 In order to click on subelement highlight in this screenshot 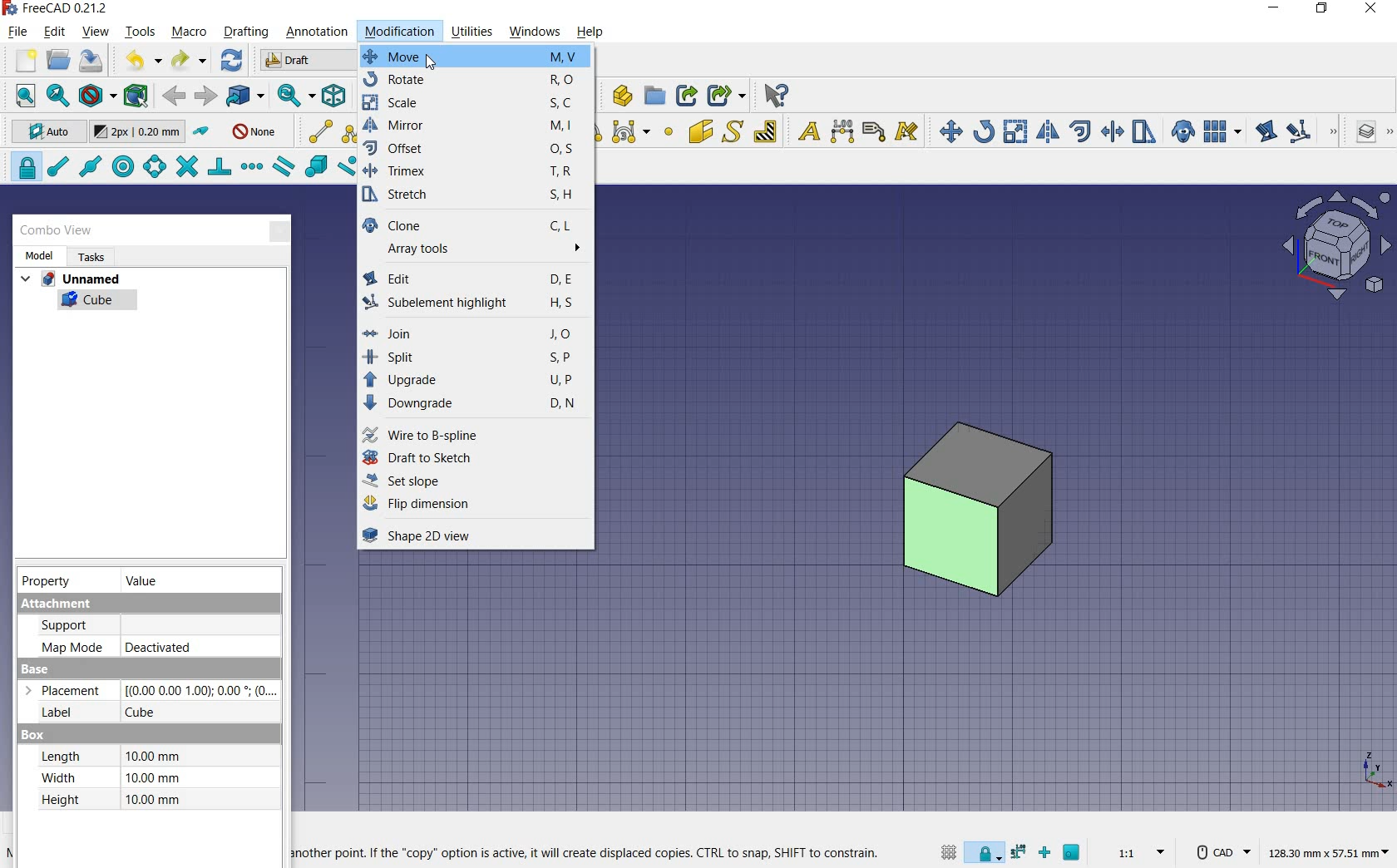, I will do `click(1299, 133)`.